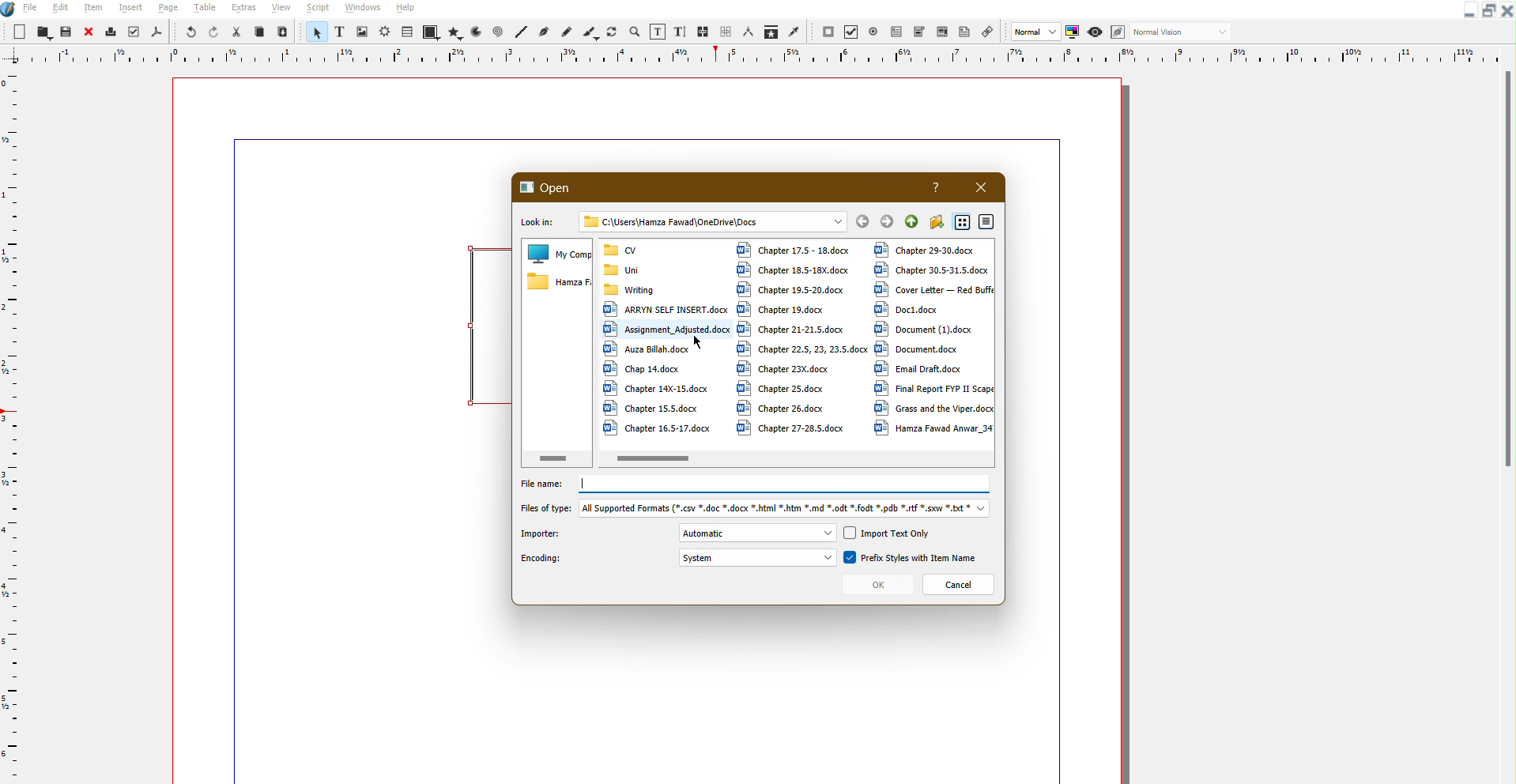 The image size is (1516, 784). What do you see at coordinates (757, 484) in the screenshot?
I see `File name` at bounding box center [757, 484].